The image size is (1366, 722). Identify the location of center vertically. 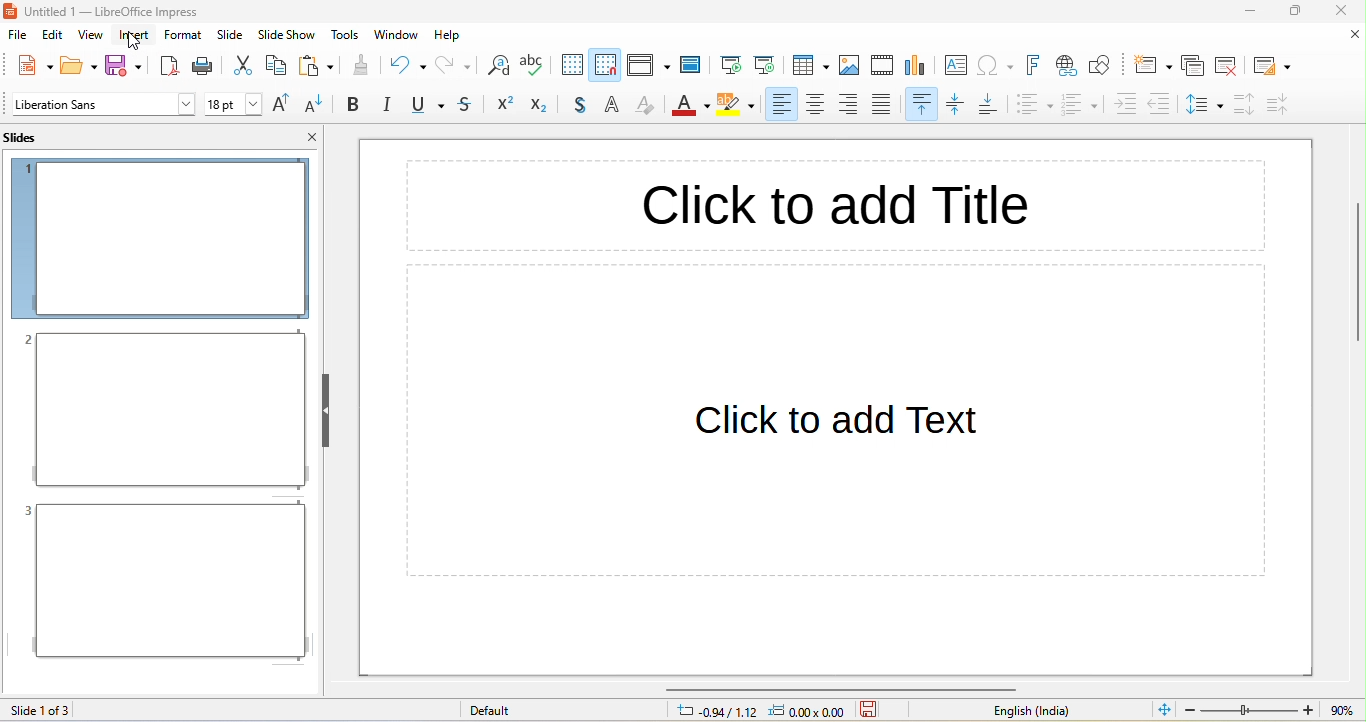
(958, 106).